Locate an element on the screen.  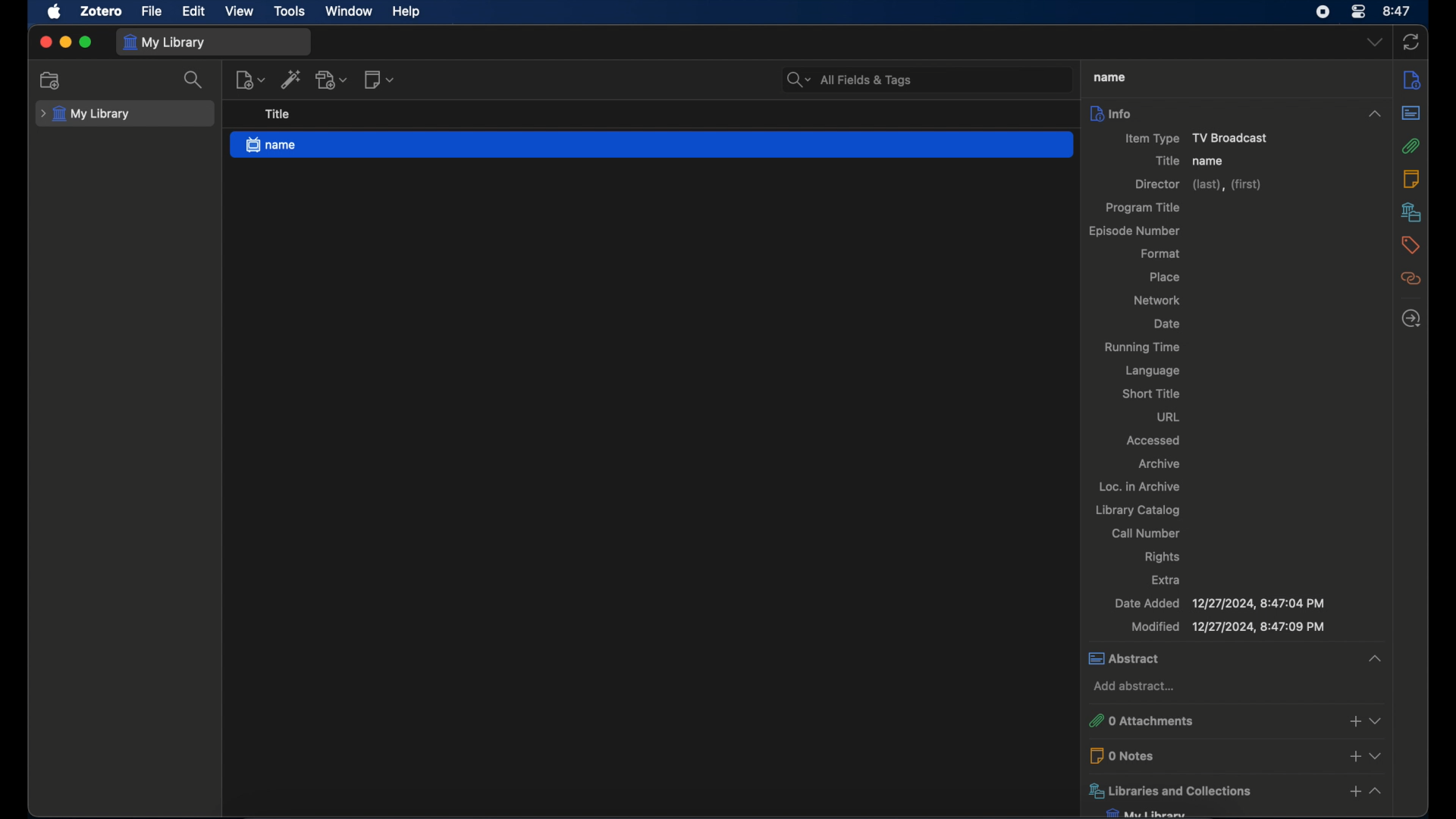
title name is located at coordinates (1210, 162).